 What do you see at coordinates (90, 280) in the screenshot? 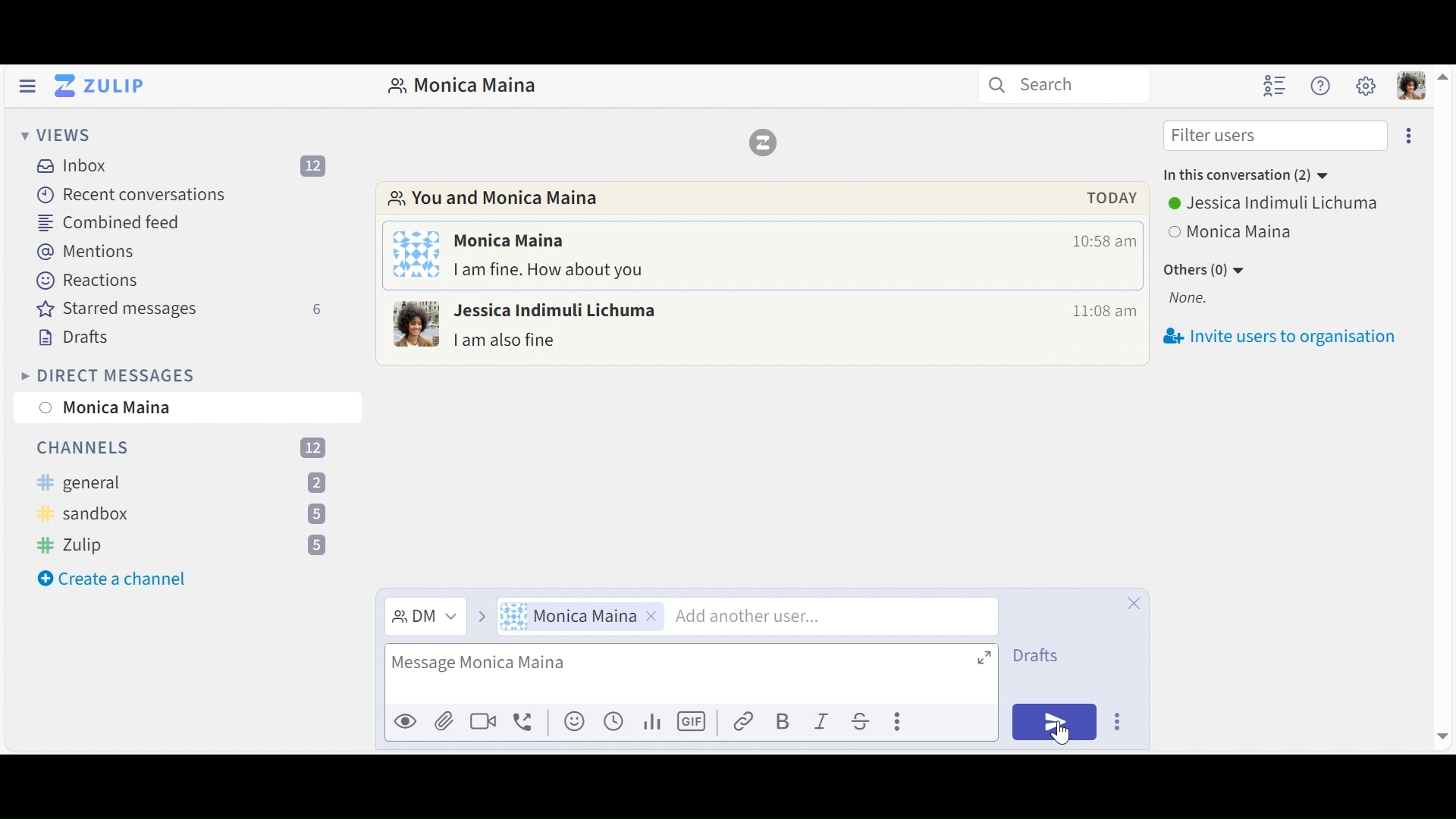
I see `Reactions` at bounding box center [90, 280].